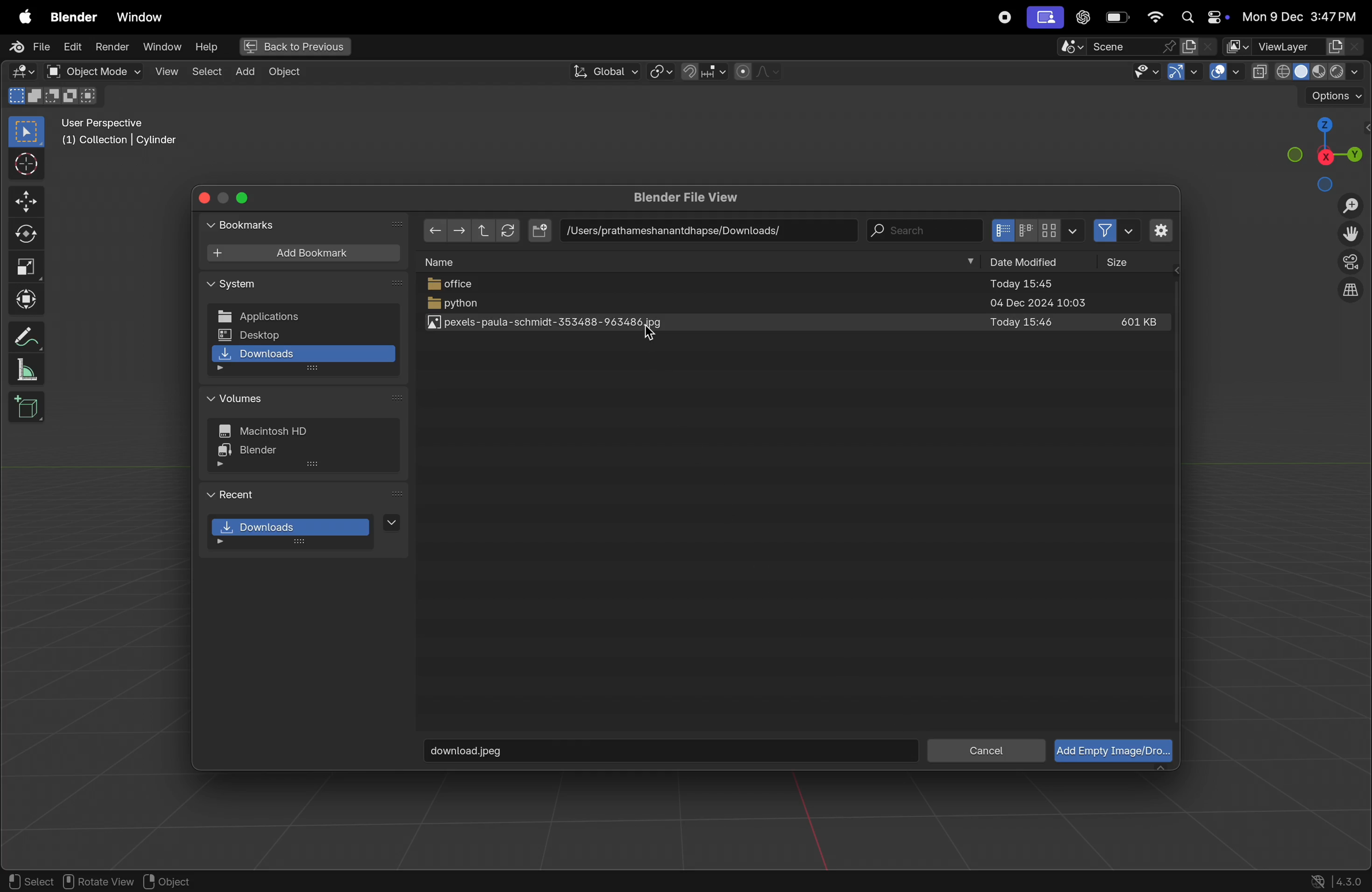  Describe the element at coordinates (756, 72) in the screenshot. I see `proportional fall off` at that location.